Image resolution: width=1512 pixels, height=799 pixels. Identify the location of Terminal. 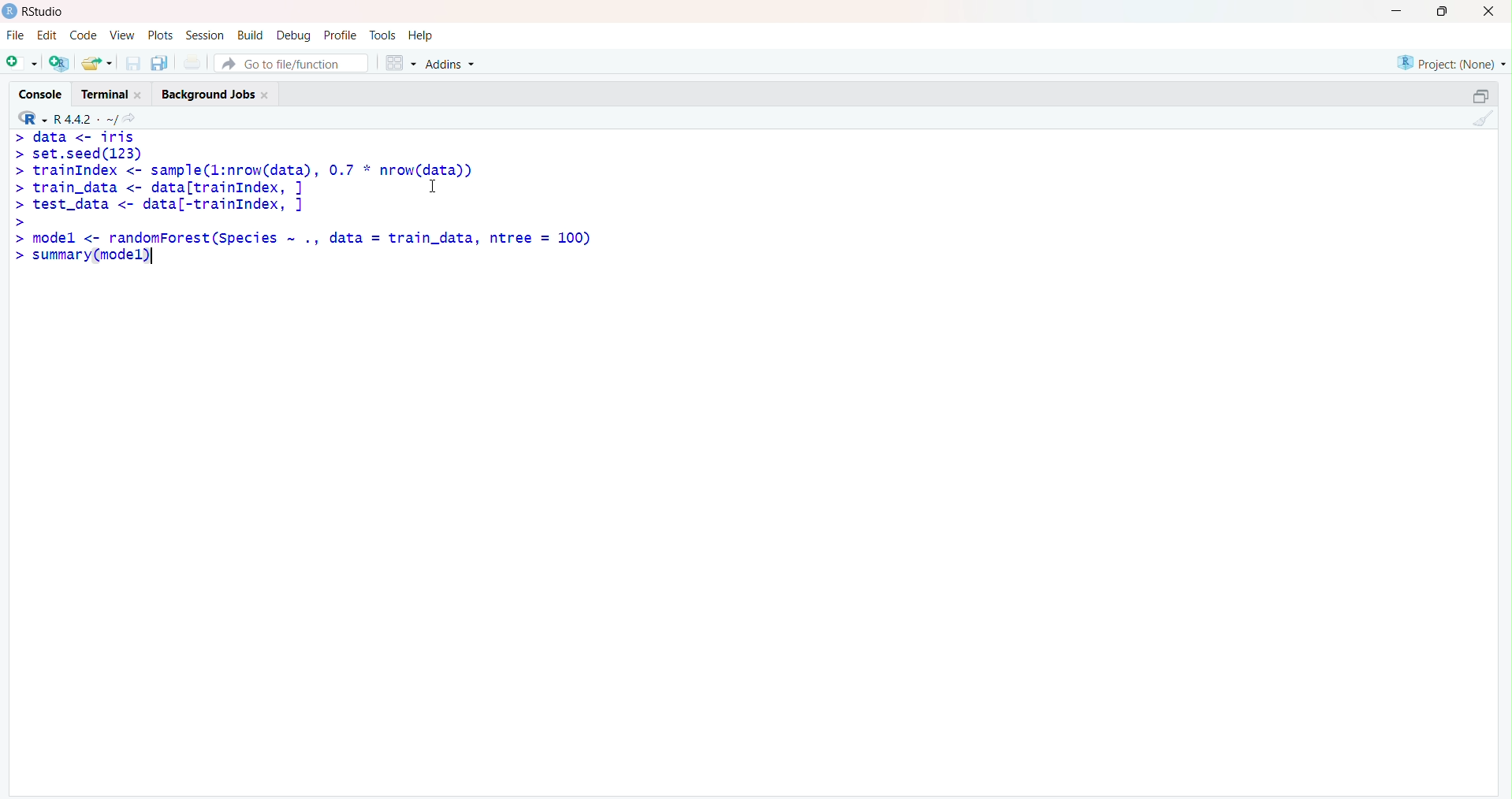
(110, 91).